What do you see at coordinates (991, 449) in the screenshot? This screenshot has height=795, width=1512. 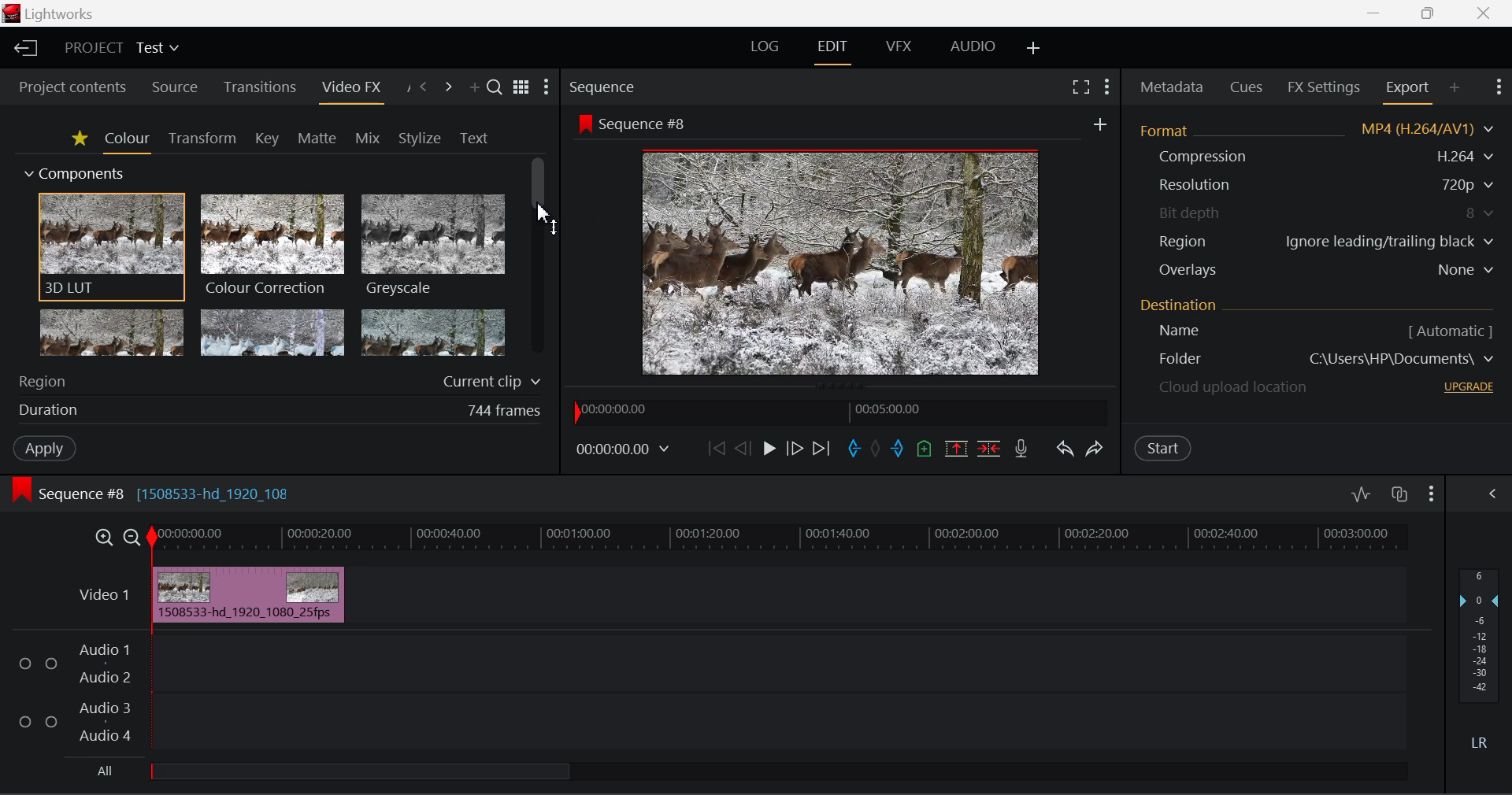 I see `Delte/Cut` at bounding box center [991, 449].